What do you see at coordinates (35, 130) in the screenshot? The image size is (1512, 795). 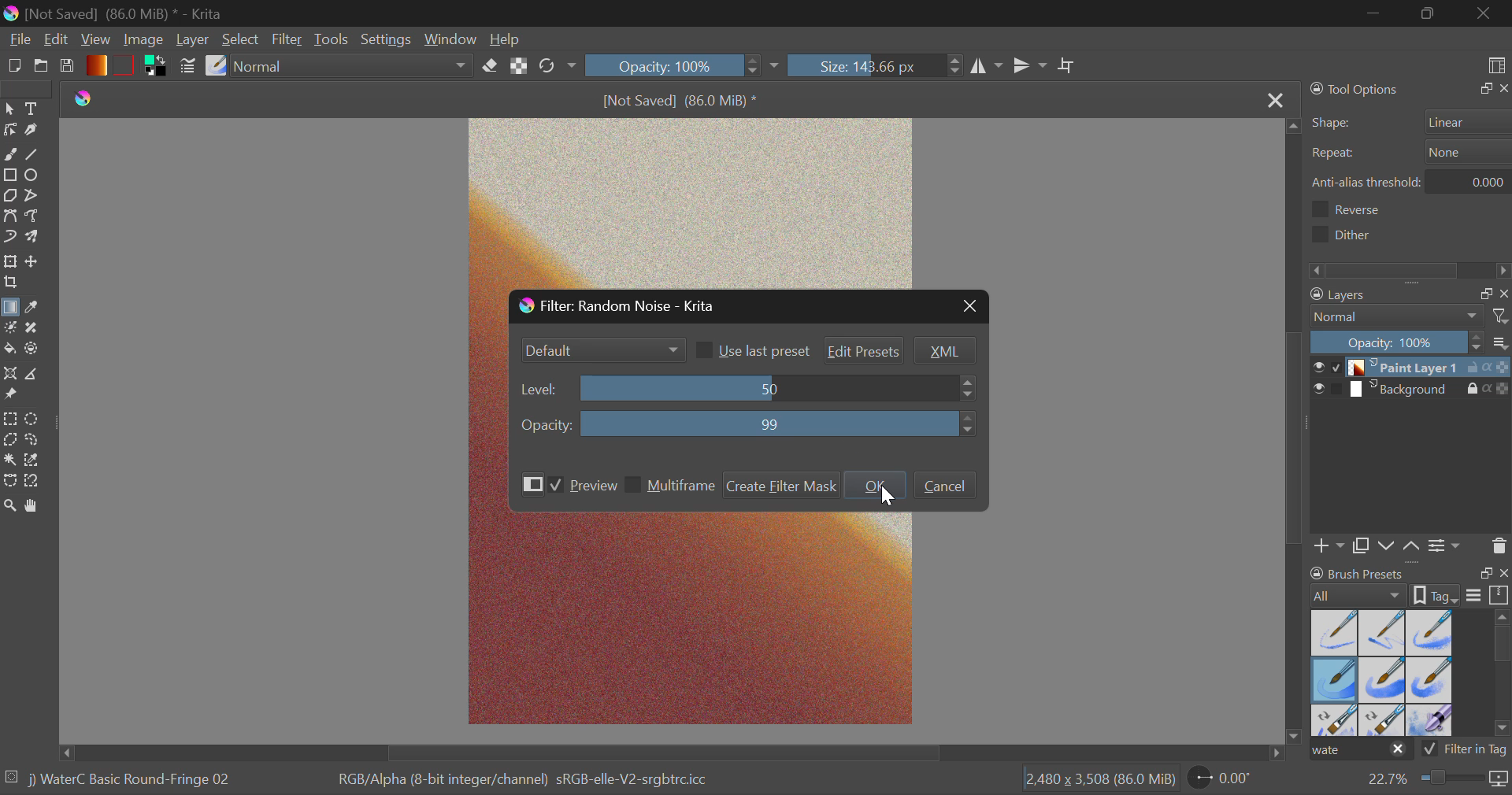 I see `Calligraphic Tool` at bounding box center [35, 130].